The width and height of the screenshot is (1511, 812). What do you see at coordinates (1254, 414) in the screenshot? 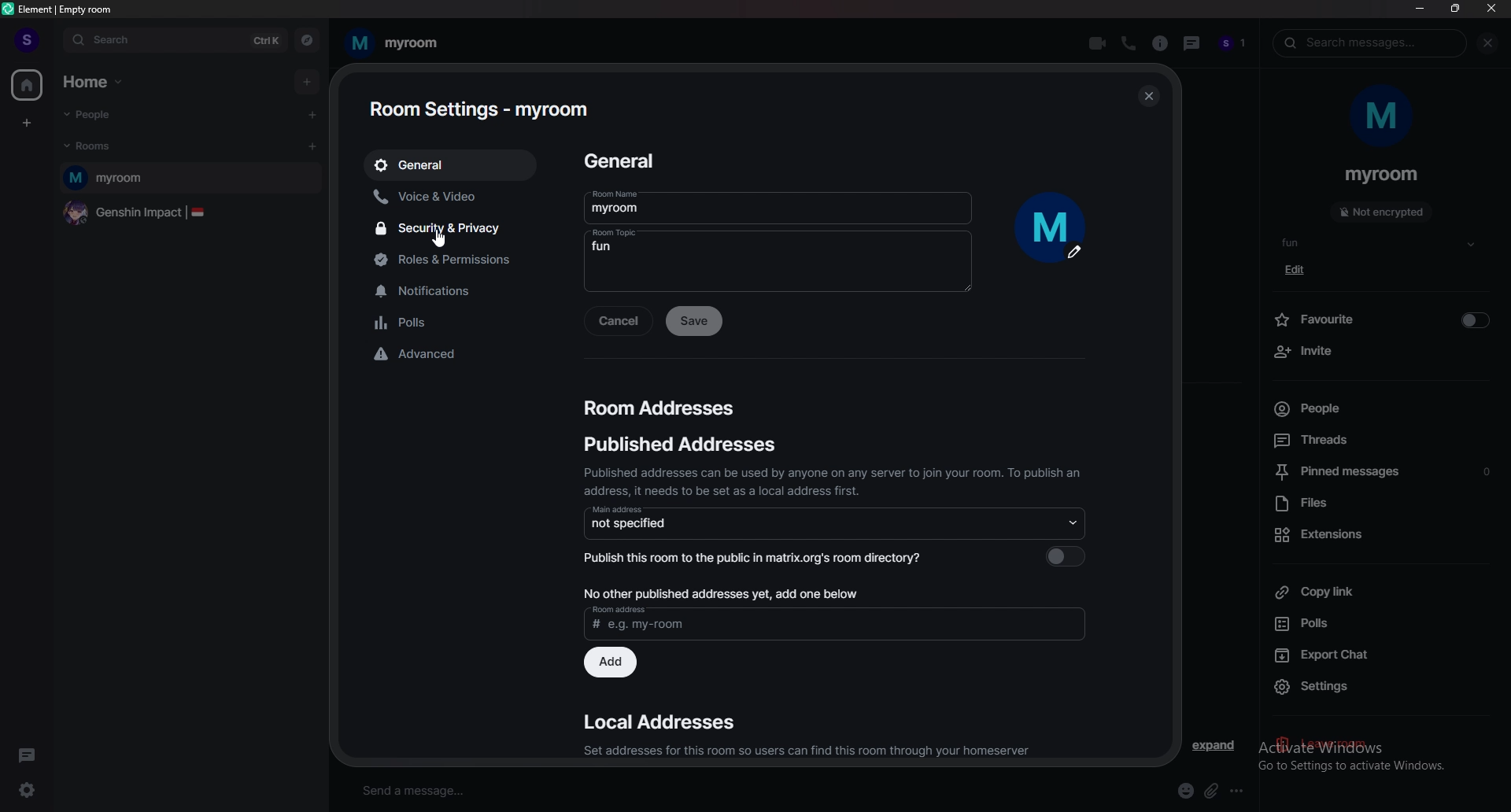
I see `size adjustment` at bounding box center [1254, 414].